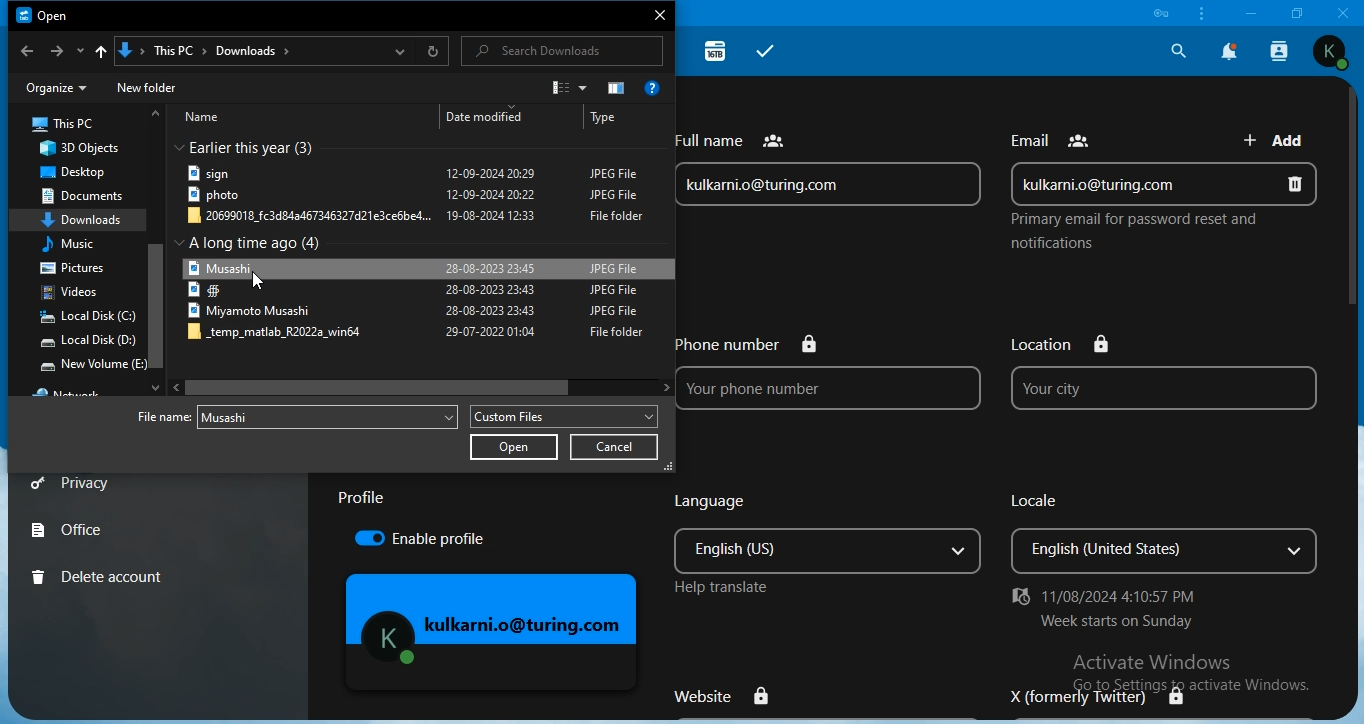 This screenshot has width=1364, height=724. What do you see at coordinates (662, 12) in the screenshot?
I see `close` at bounding box center [662, 12].